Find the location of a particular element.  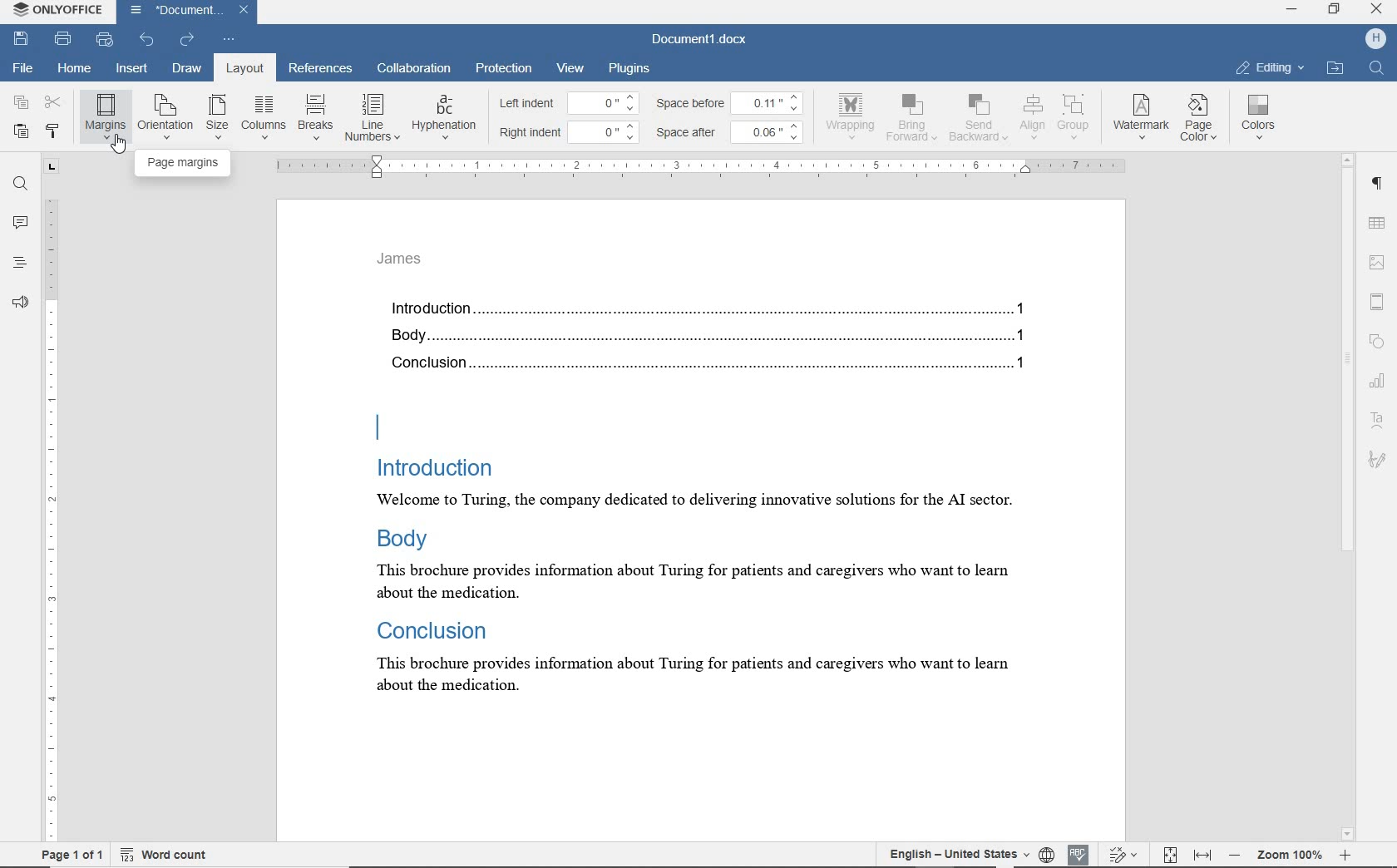

feedback & support is located at coordinates (19, 303).